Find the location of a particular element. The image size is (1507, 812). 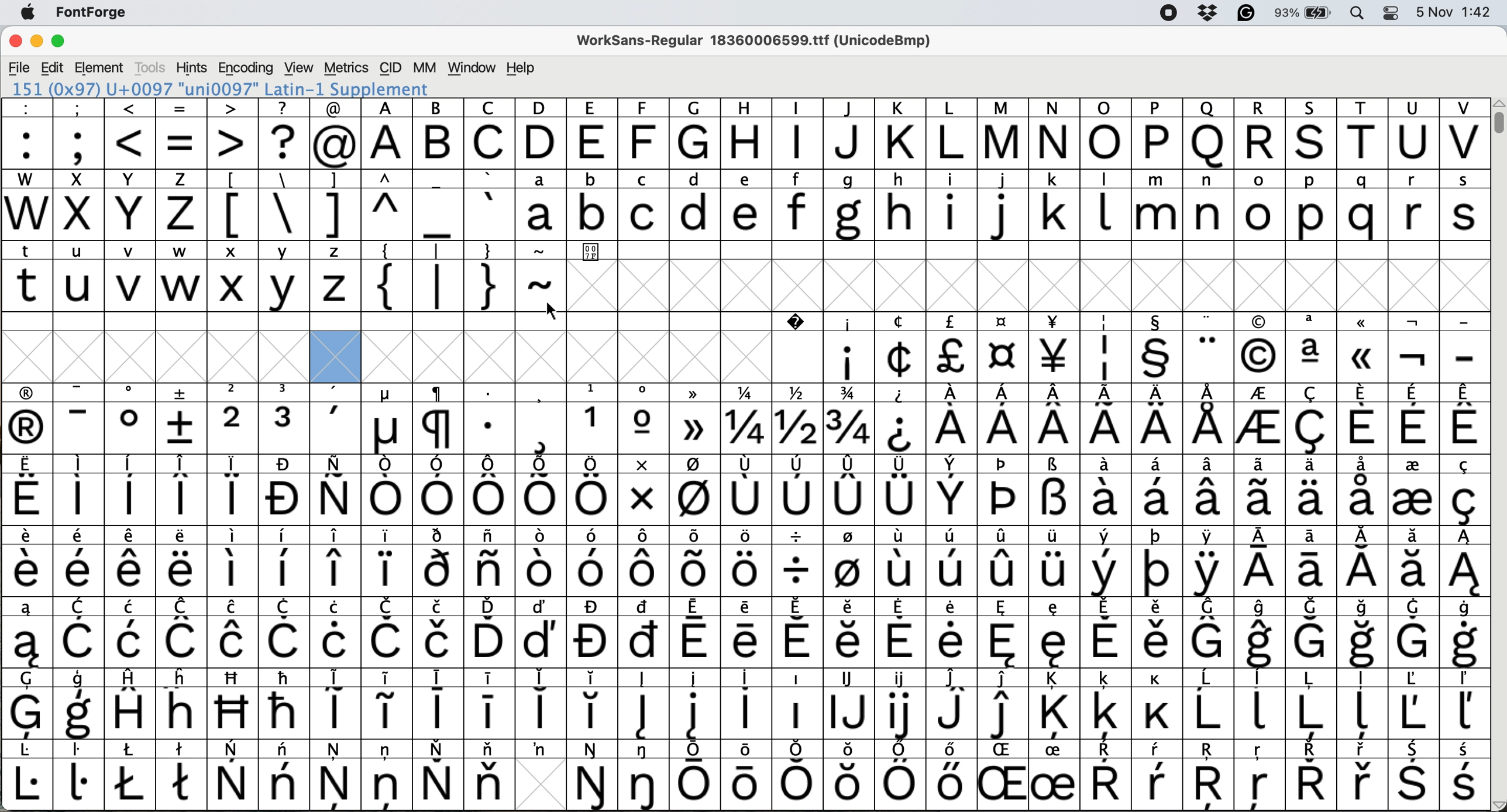

minimise is located at coordinates (35, 42).